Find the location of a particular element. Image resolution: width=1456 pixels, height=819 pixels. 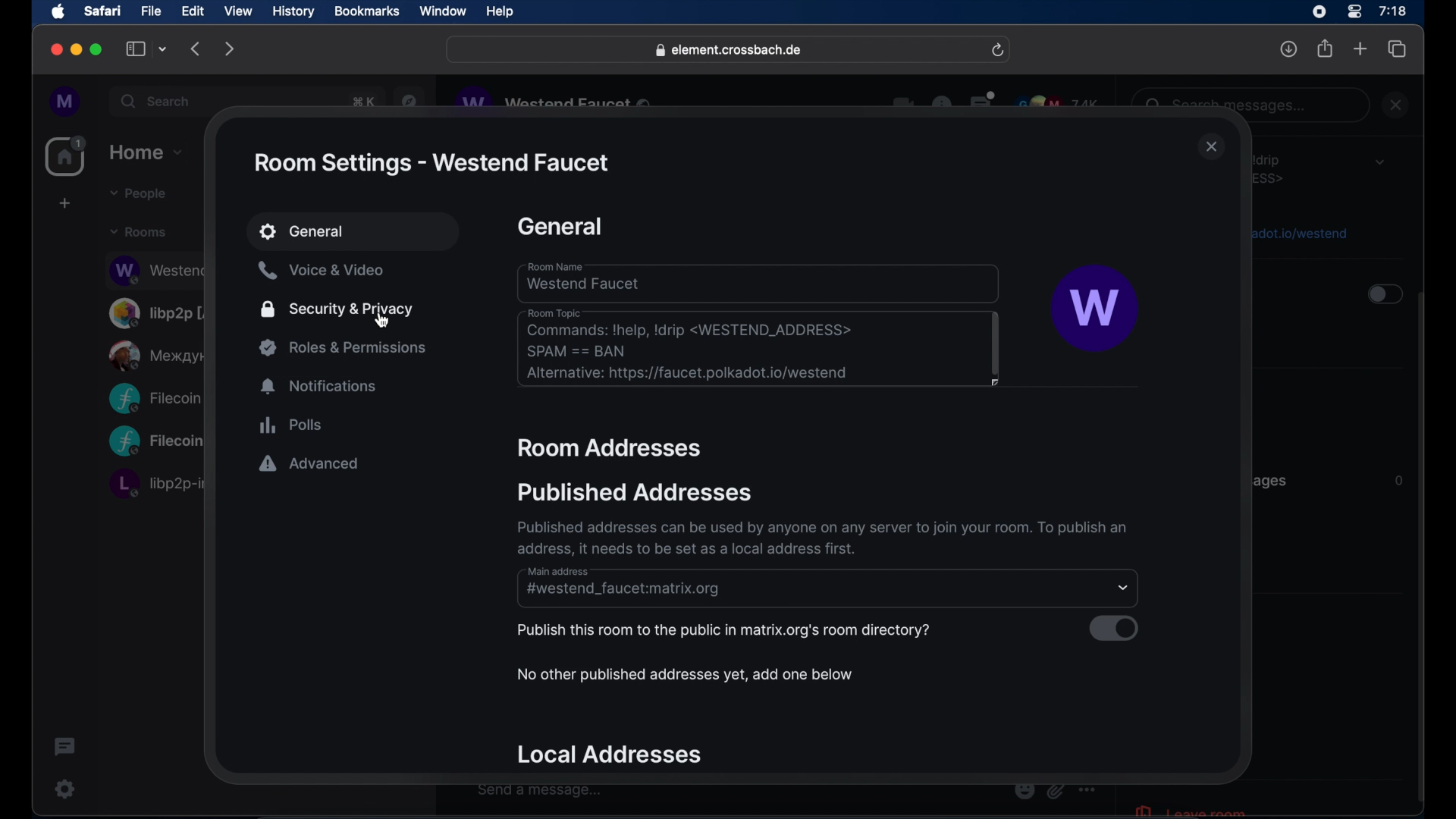

new tab is located at coordinates (1360, 48).